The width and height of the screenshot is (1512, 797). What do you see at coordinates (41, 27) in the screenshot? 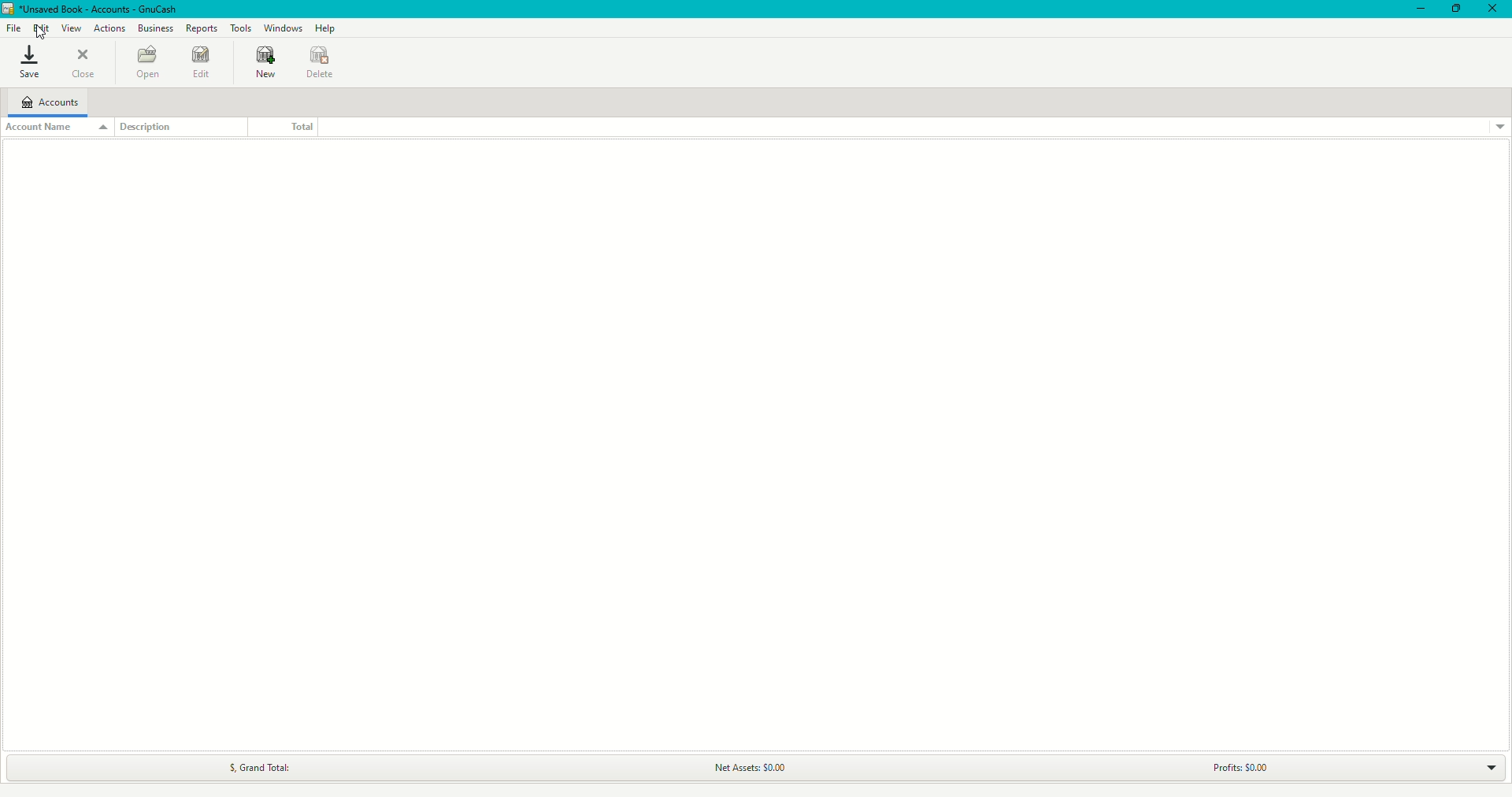
I see `Edit` at bounding box center [41, 27].